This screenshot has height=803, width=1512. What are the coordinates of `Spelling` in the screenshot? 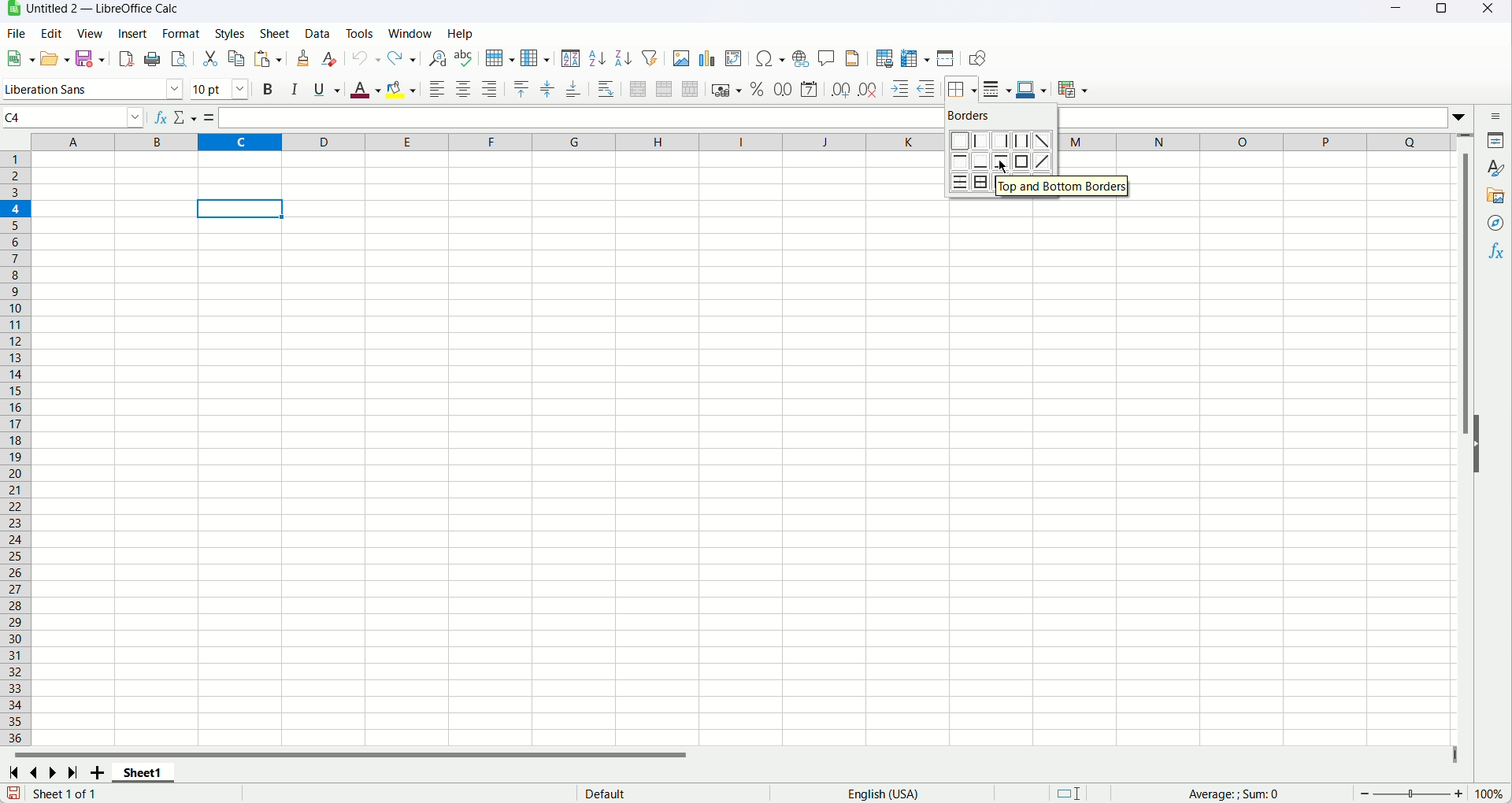 It's located at (464, 58).